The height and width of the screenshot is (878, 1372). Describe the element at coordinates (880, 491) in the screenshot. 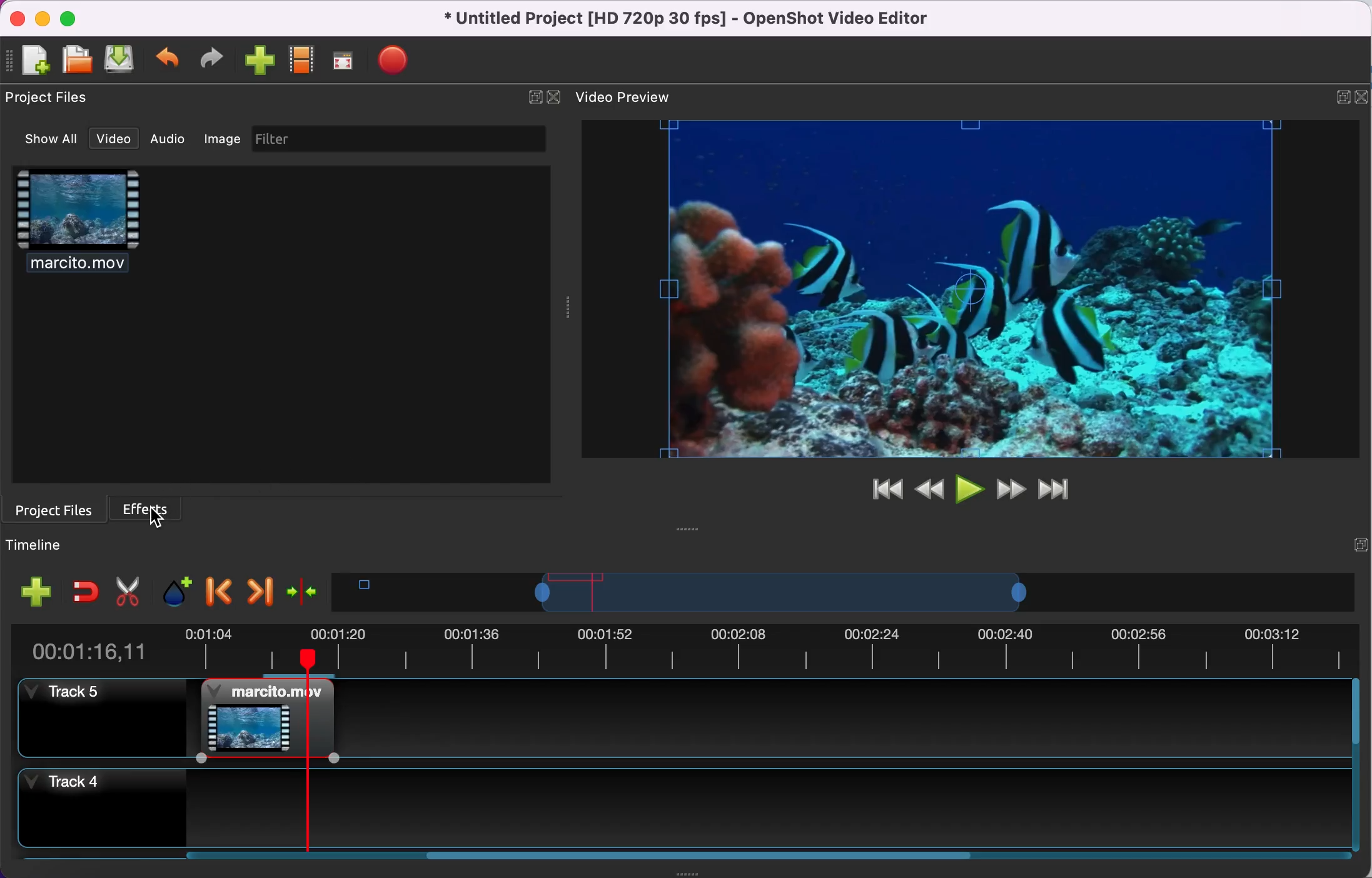

I see `jump to start` at that location.